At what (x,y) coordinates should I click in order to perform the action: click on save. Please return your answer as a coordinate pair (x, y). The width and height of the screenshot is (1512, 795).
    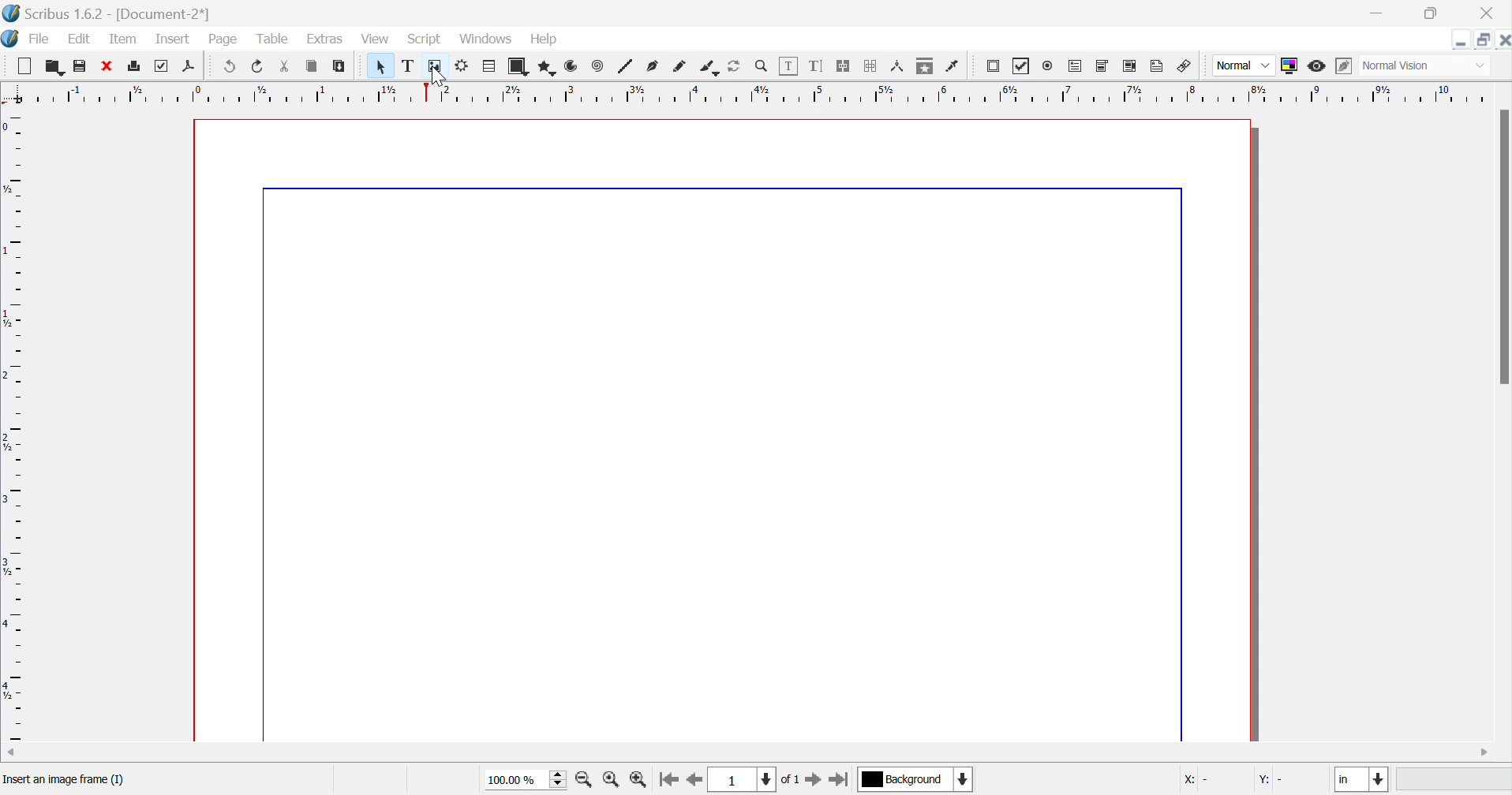
    Looking at the image, I should click on (80, 66).